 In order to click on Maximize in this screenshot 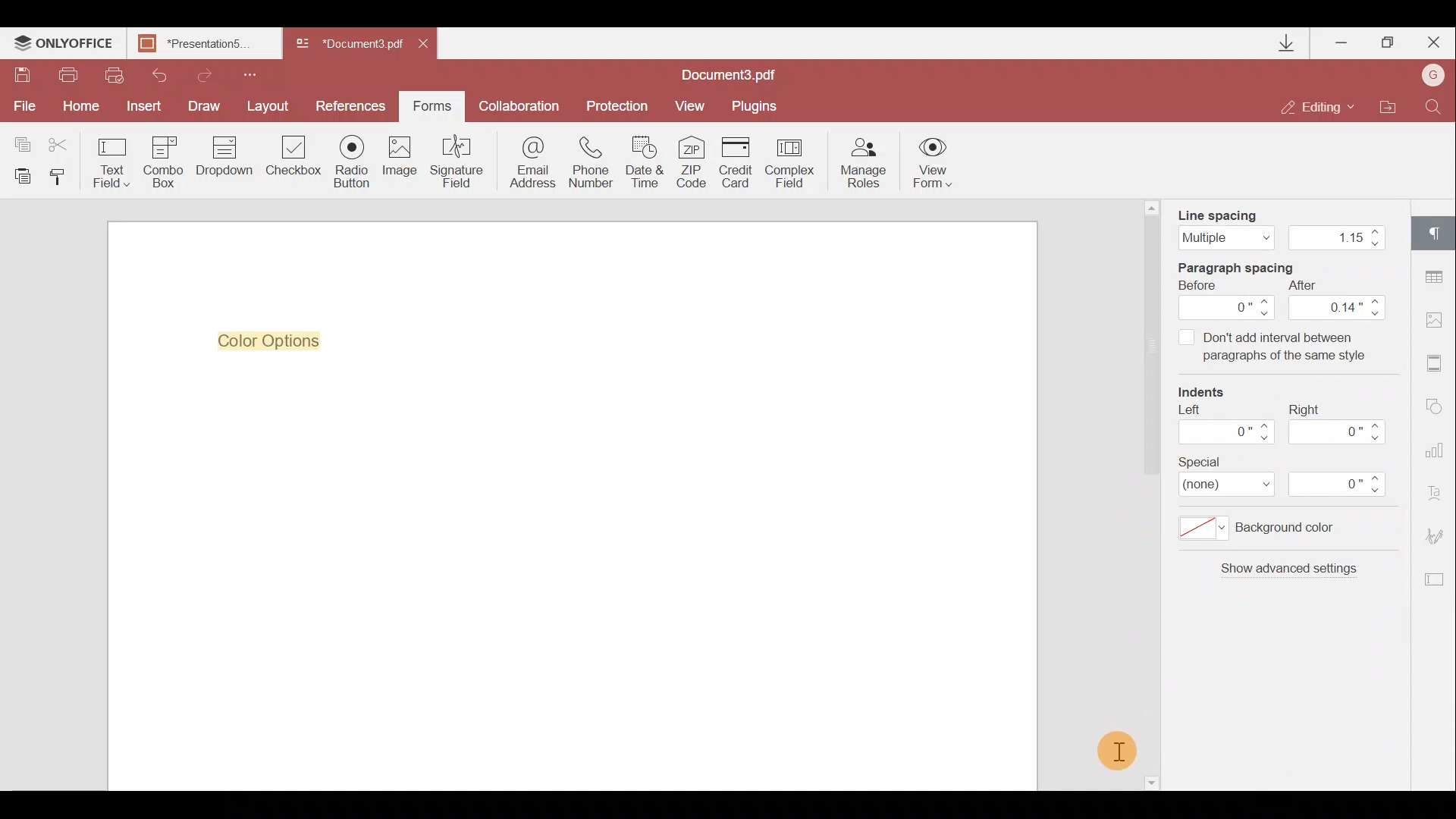, I will do `click(1387, 45)`.